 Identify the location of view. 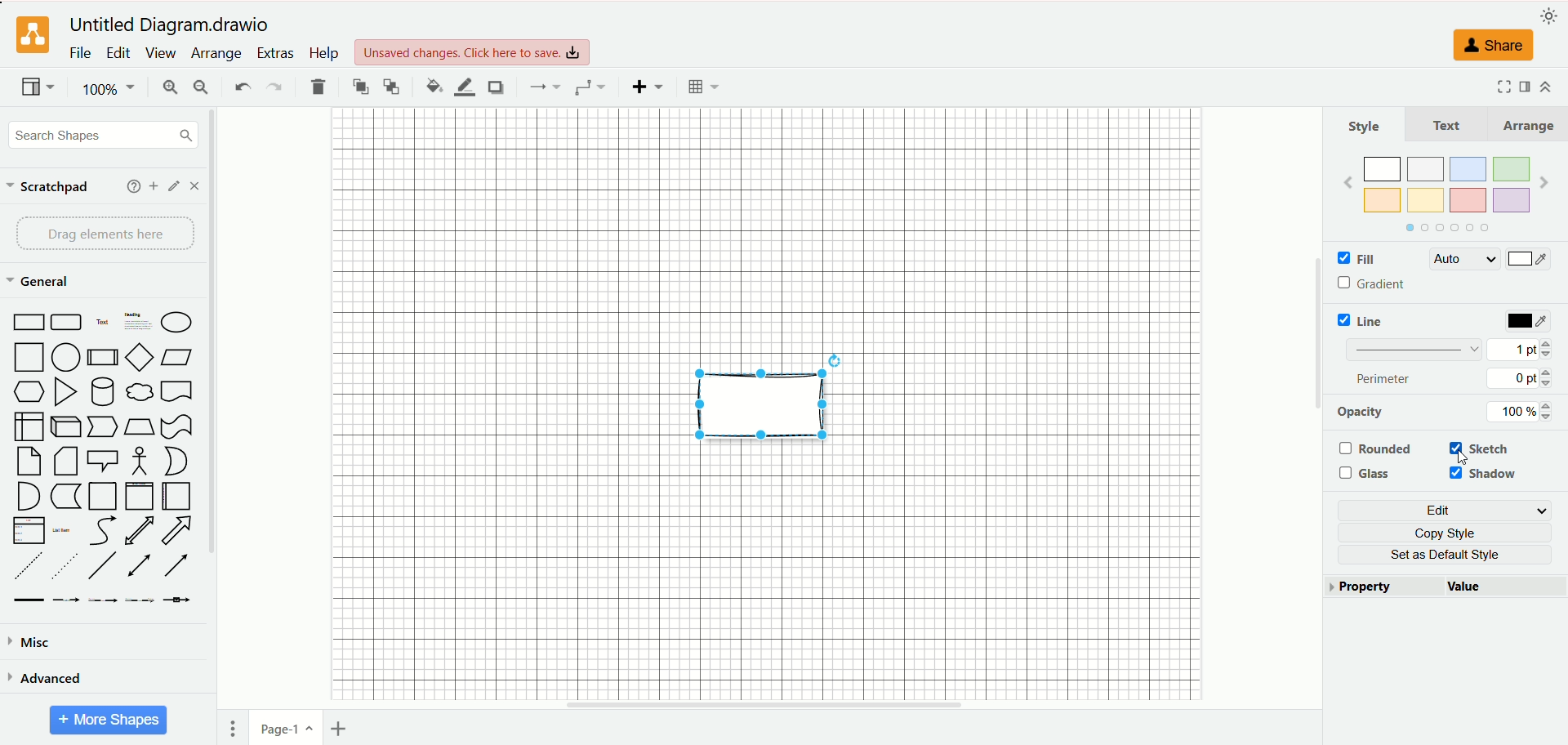
(38, 88).